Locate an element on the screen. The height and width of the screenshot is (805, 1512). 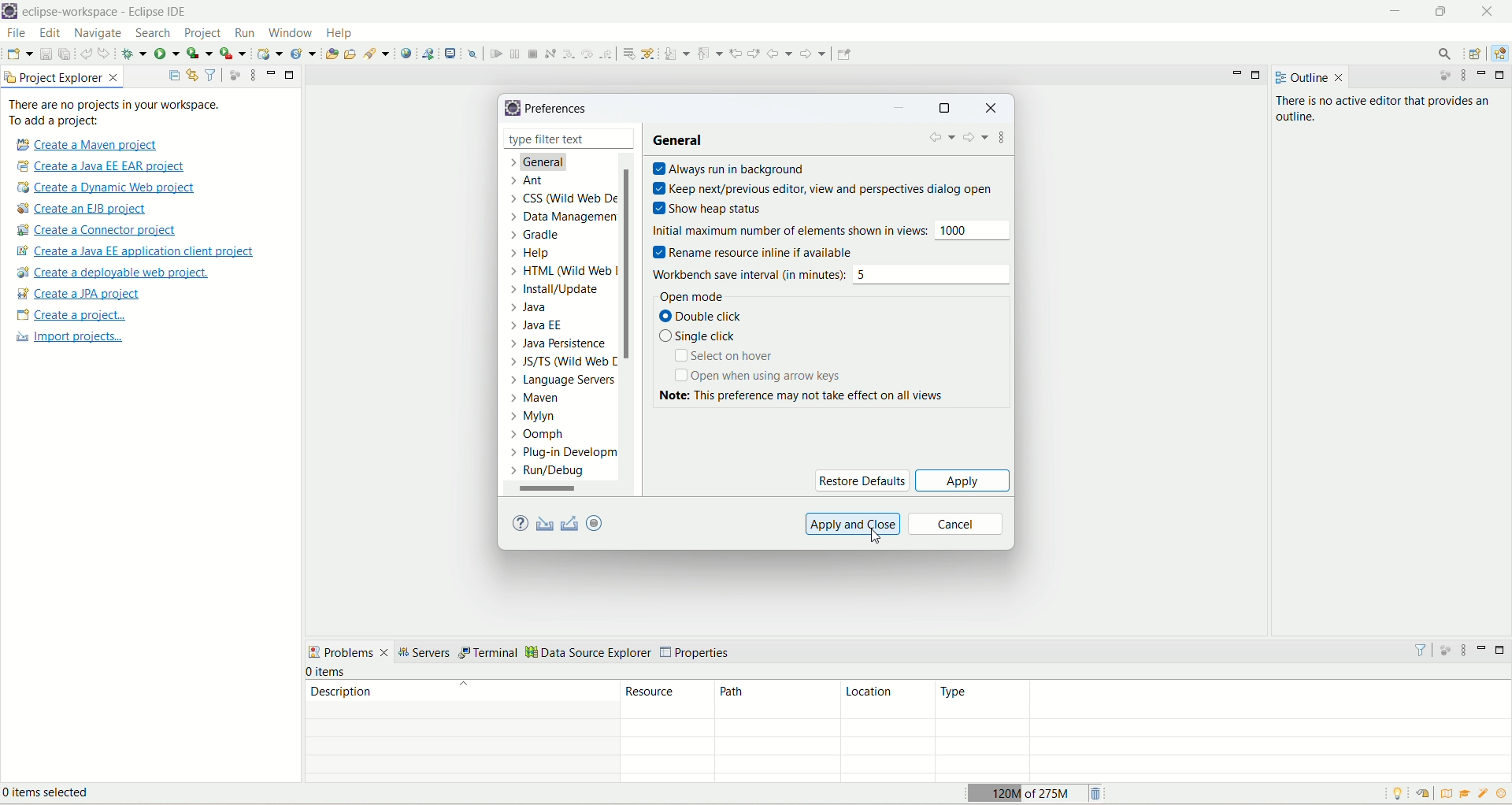
focus on active task is located at coordinates (235, 74).